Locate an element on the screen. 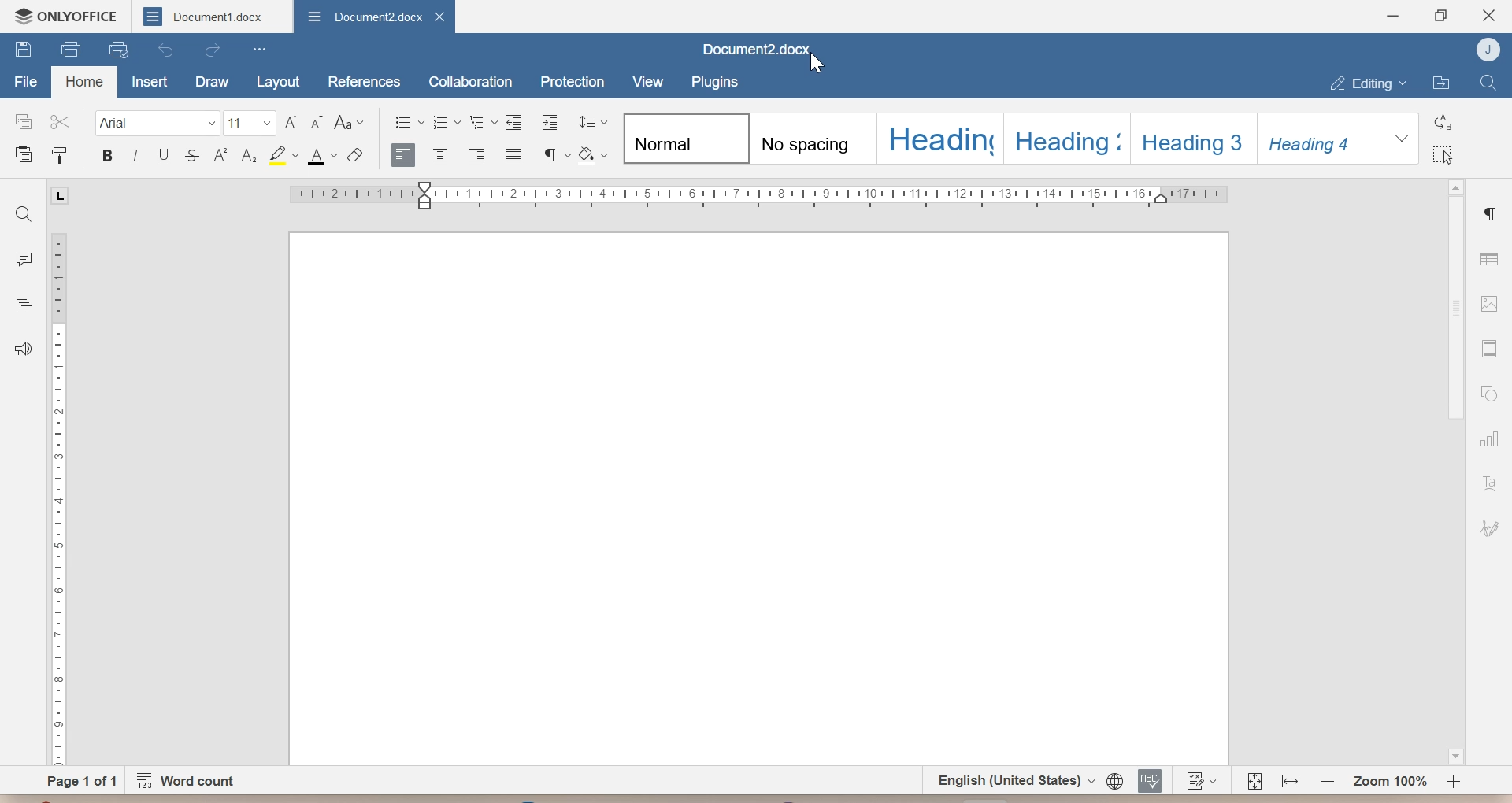   is located at coordinates (214, 17).